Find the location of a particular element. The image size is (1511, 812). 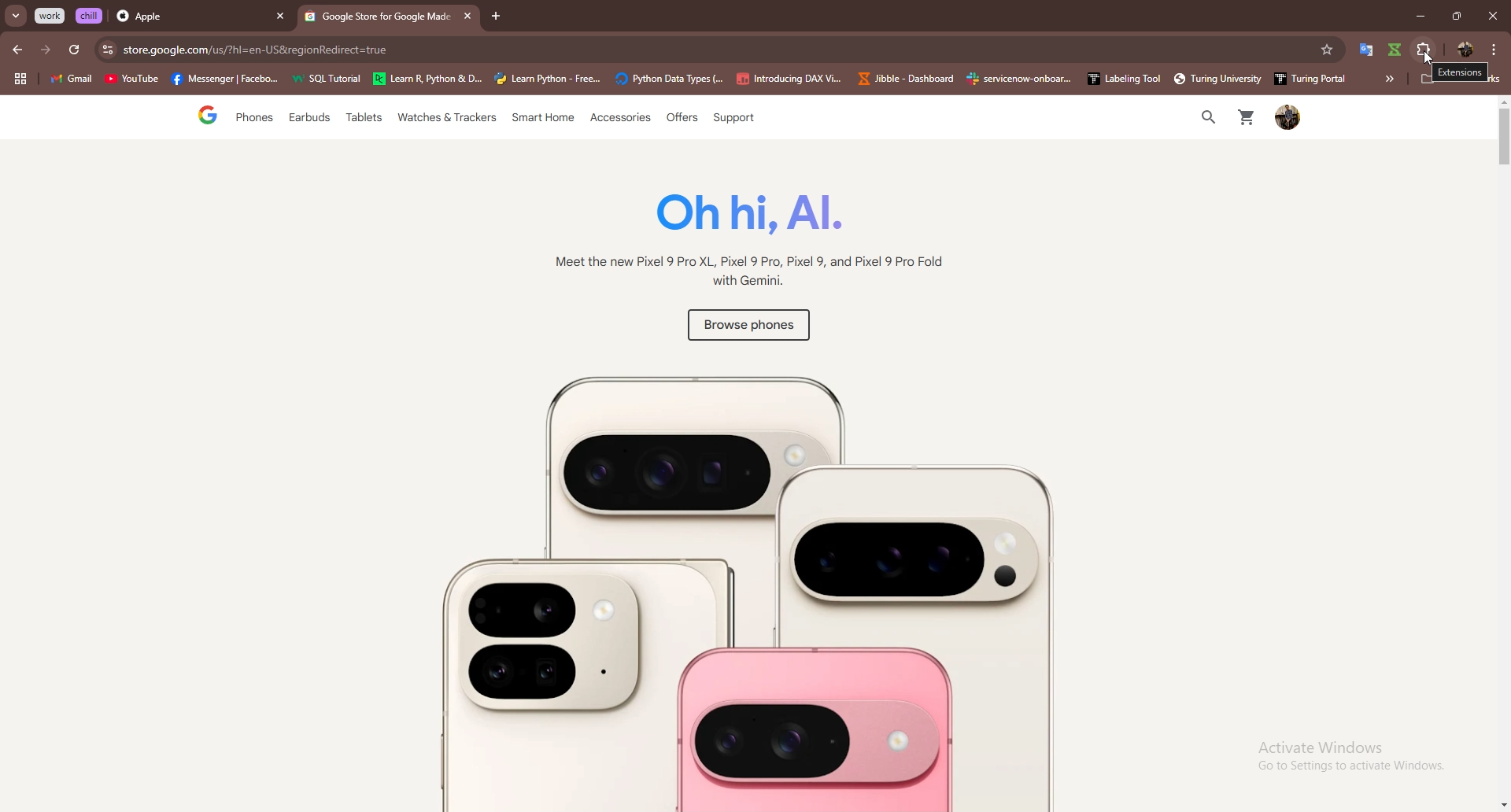

Image is located at coordinates (730, 582).